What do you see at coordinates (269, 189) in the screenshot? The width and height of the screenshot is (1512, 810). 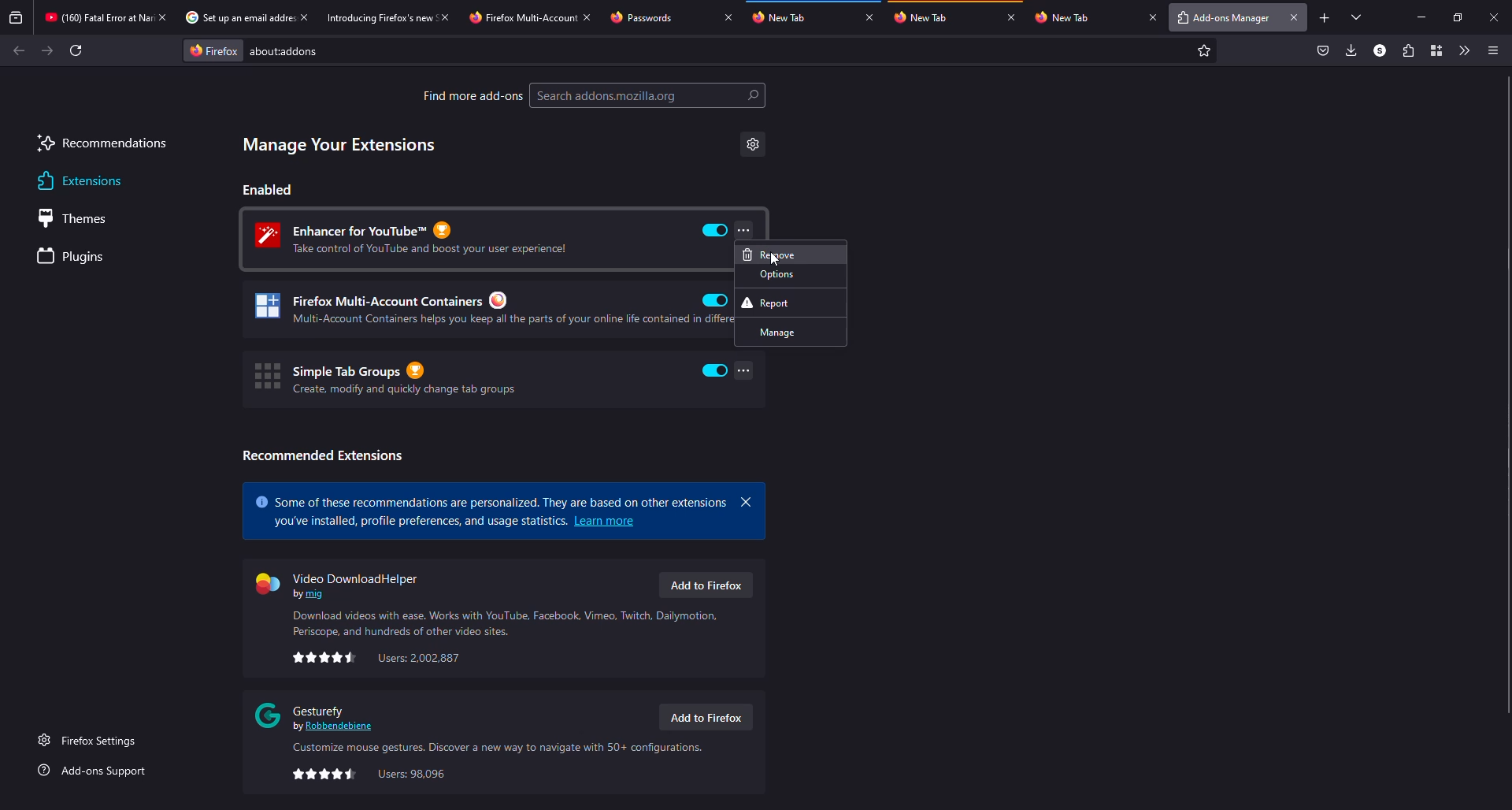 I see `enabled` at bounding box center [269, 189].